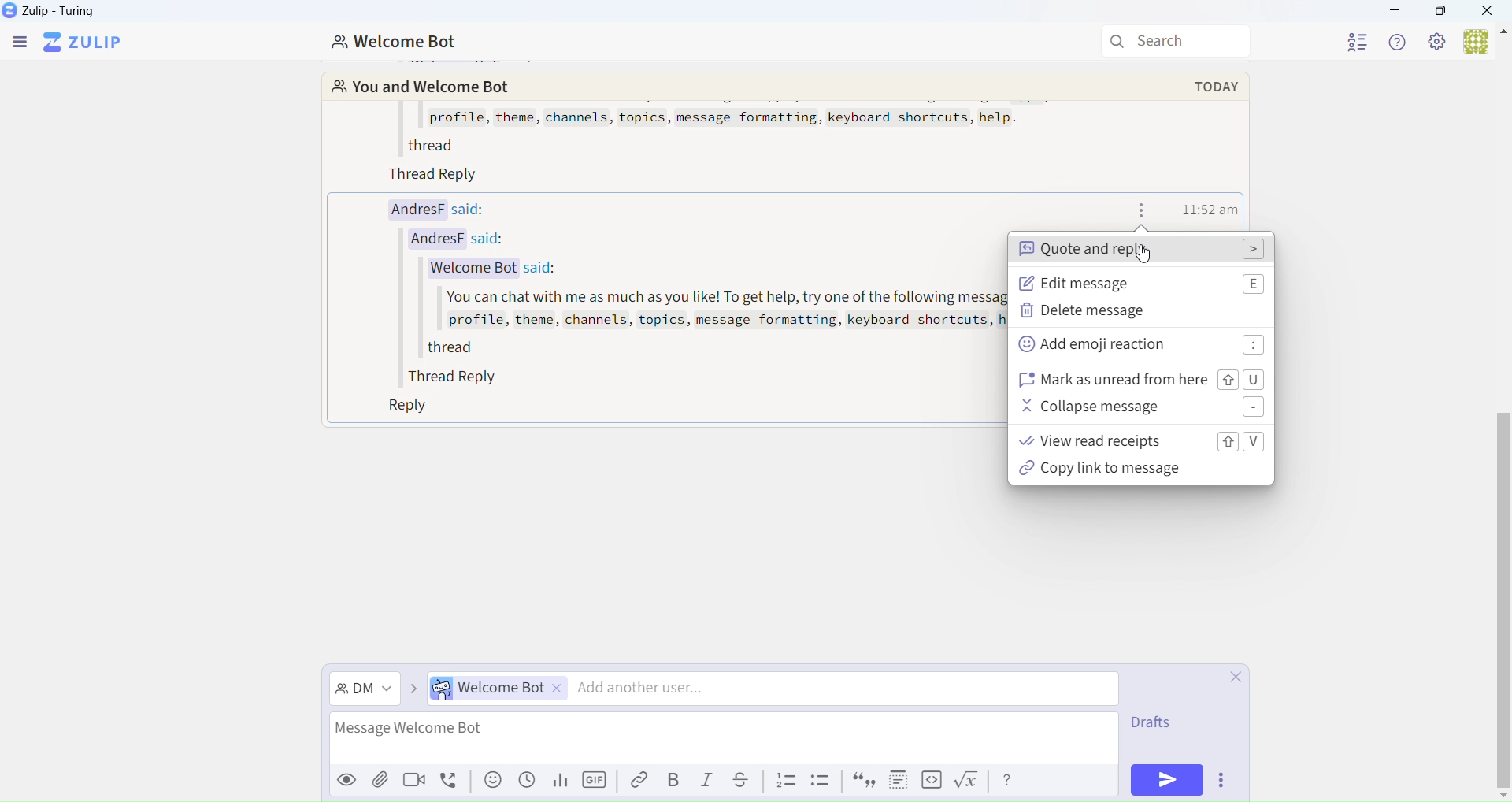  Describe the element at coordinates (1436, 41) in the screenshot. I see `Settings` at that location.